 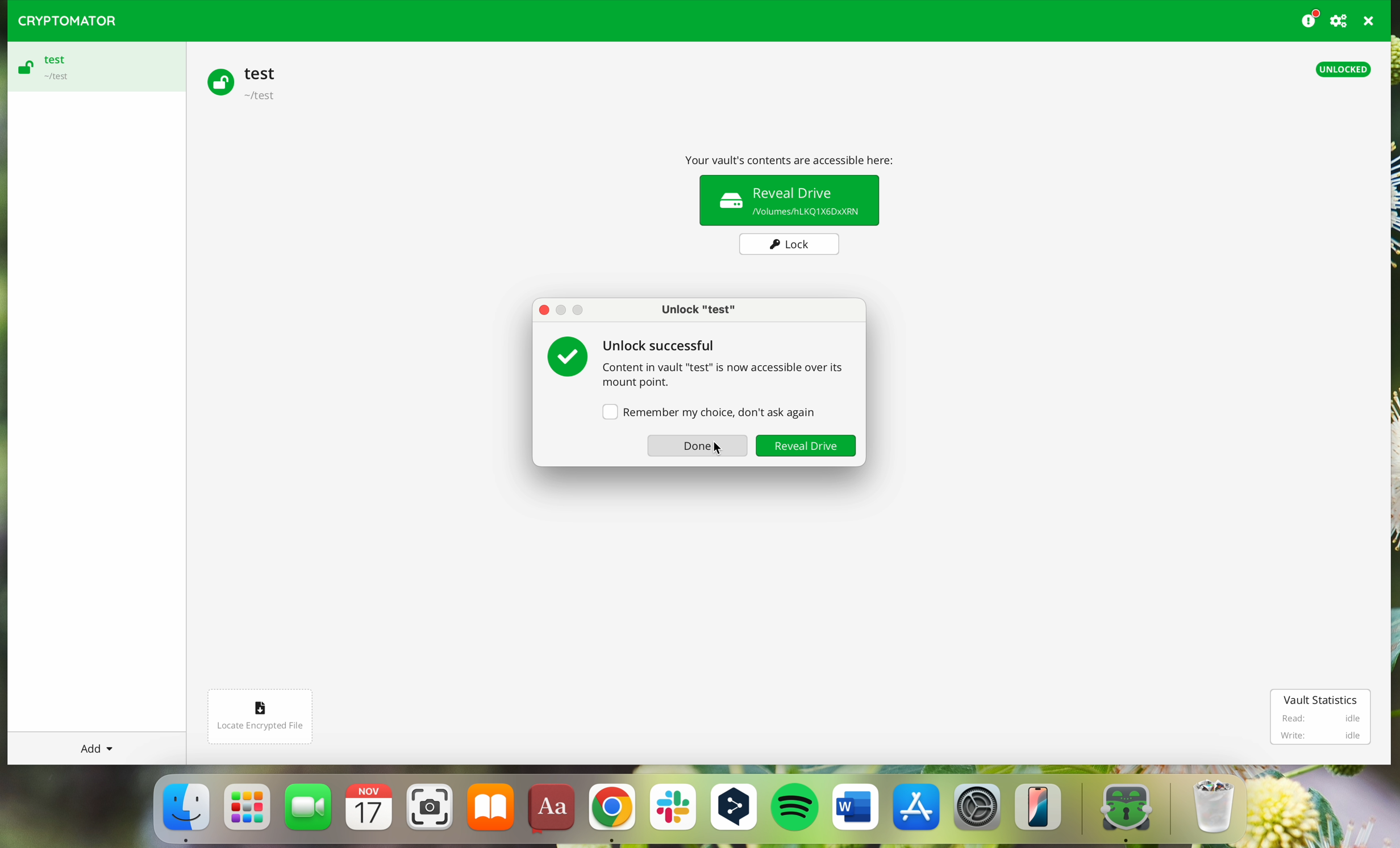 I want to click on calendar, so click(x=371, y=812).